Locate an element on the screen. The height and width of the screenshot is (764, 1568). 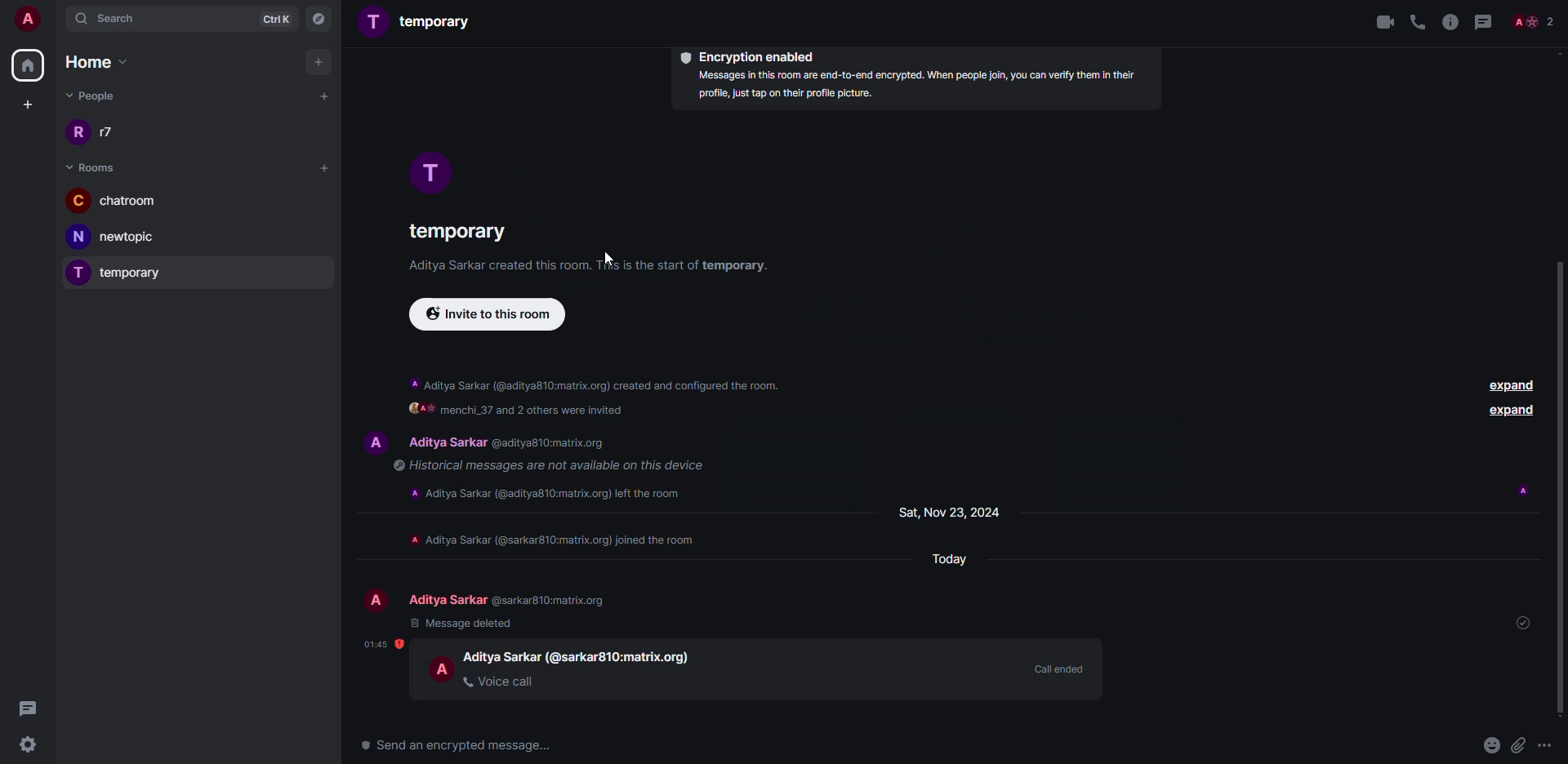
people is located at coordinates (106, 133).